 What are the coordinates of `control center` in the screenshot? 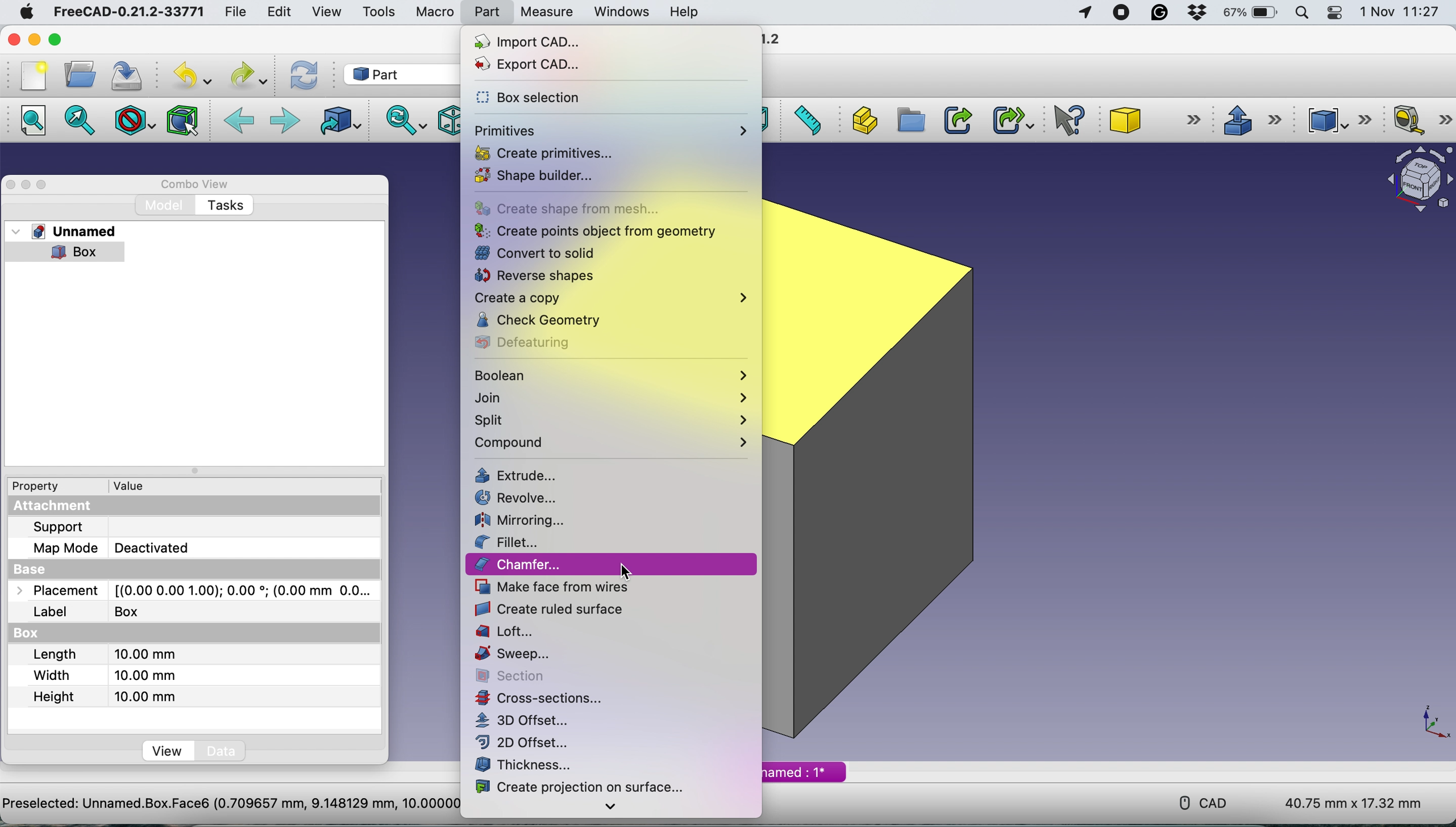 It's located at (1336, 14).